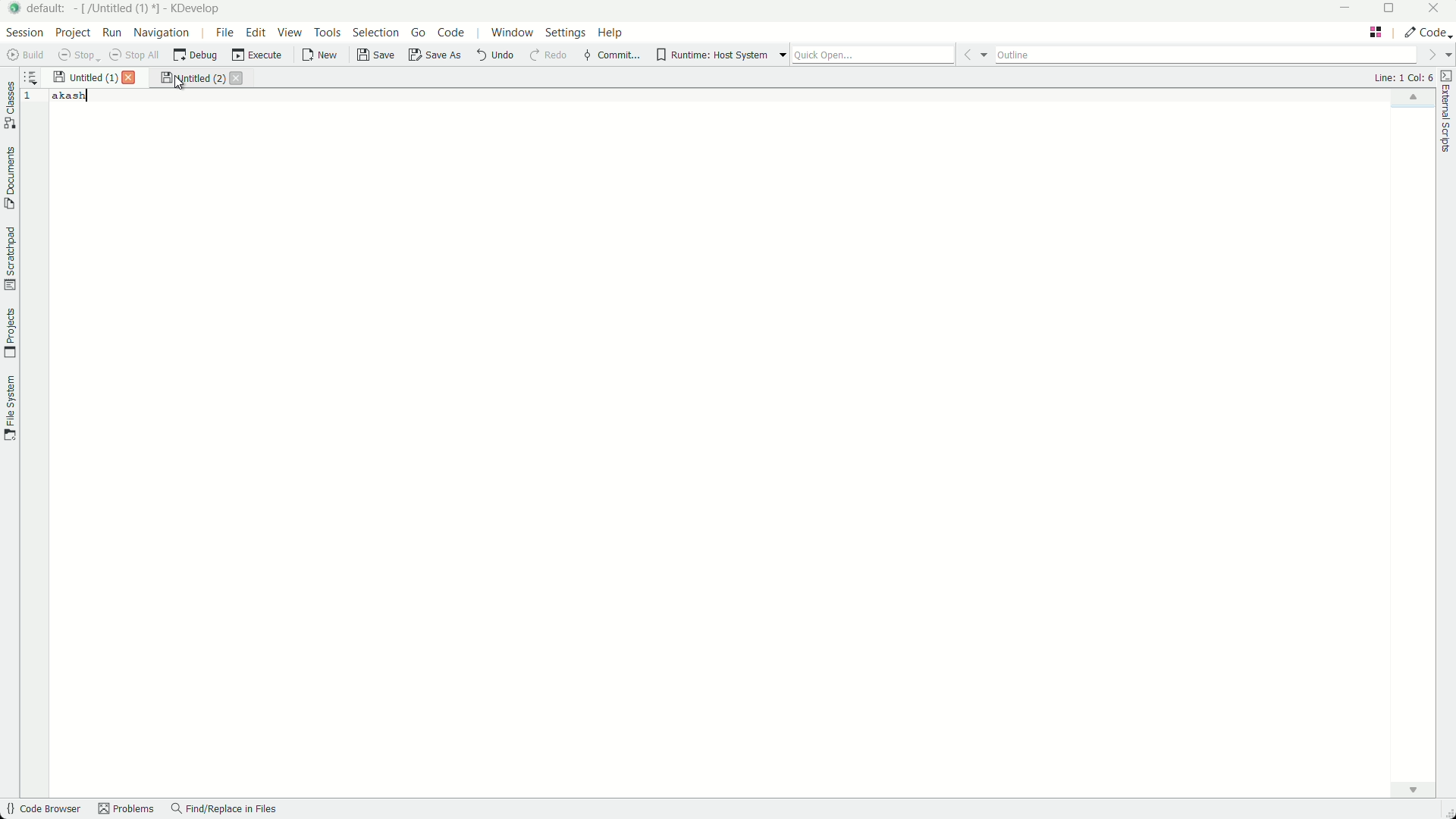 Image resolution: width=1456 pixels, height=819 pixels. What do you see at coordinates (374, 33) in the screenshot?
I see `selection menu` at bounding box center [374, 33].